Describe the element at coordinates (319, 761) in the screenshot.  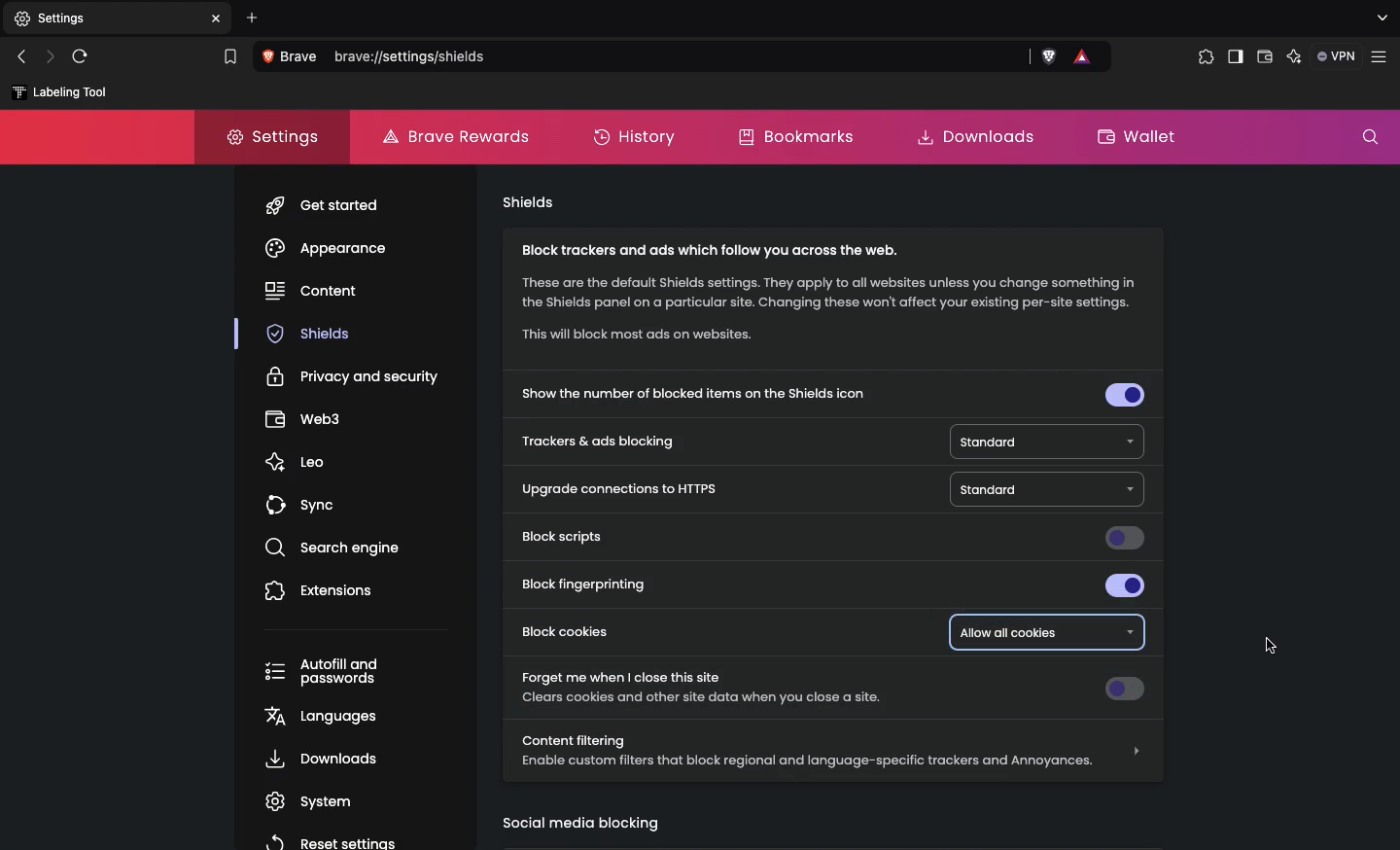
I see `, Downloads` at that location.